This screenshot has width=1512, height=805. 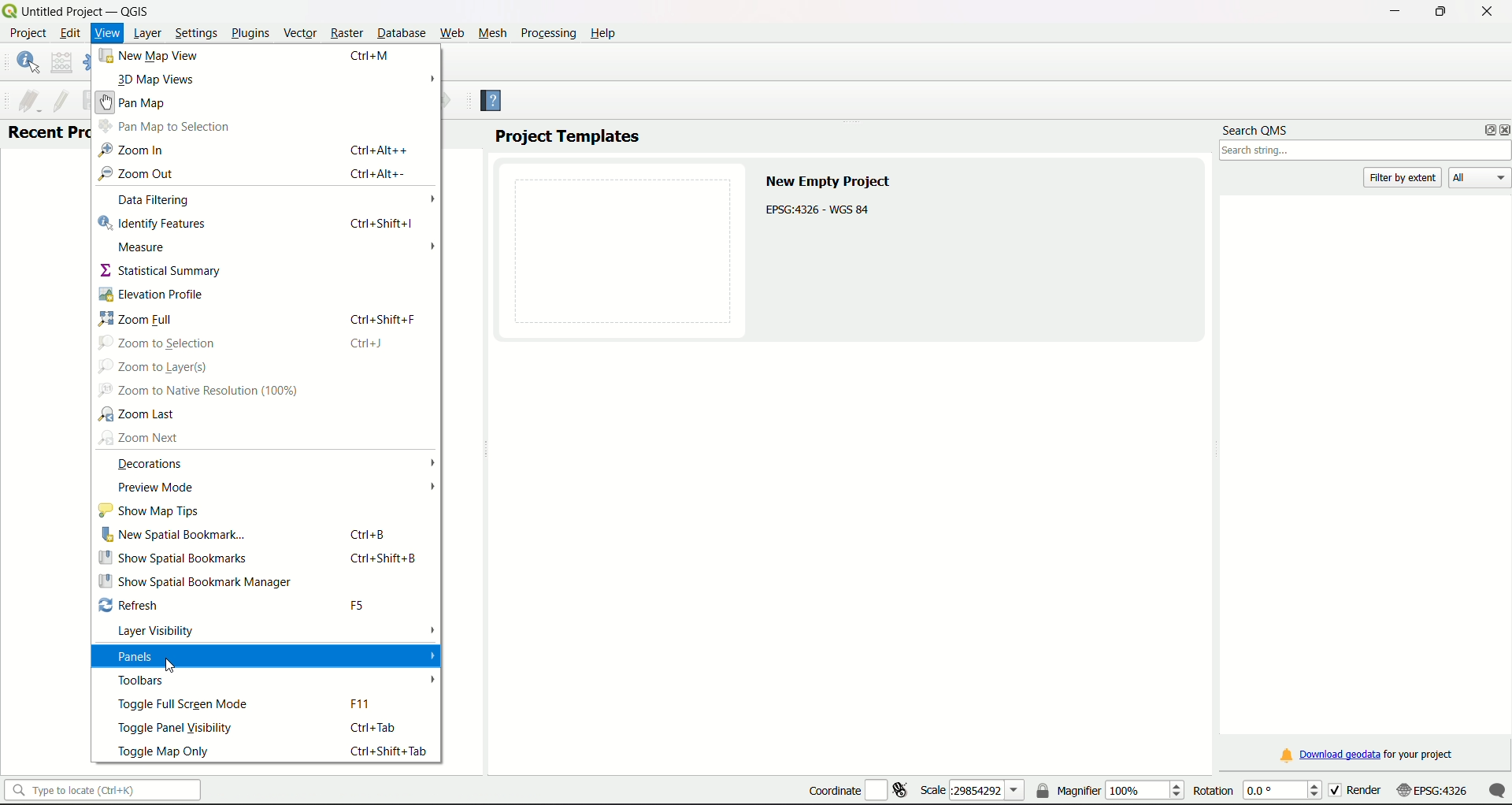 What do you see at coordinates (165, 127) in the screenshot?
I see `Pan Map to Selection` at bounding box center [165, 127].